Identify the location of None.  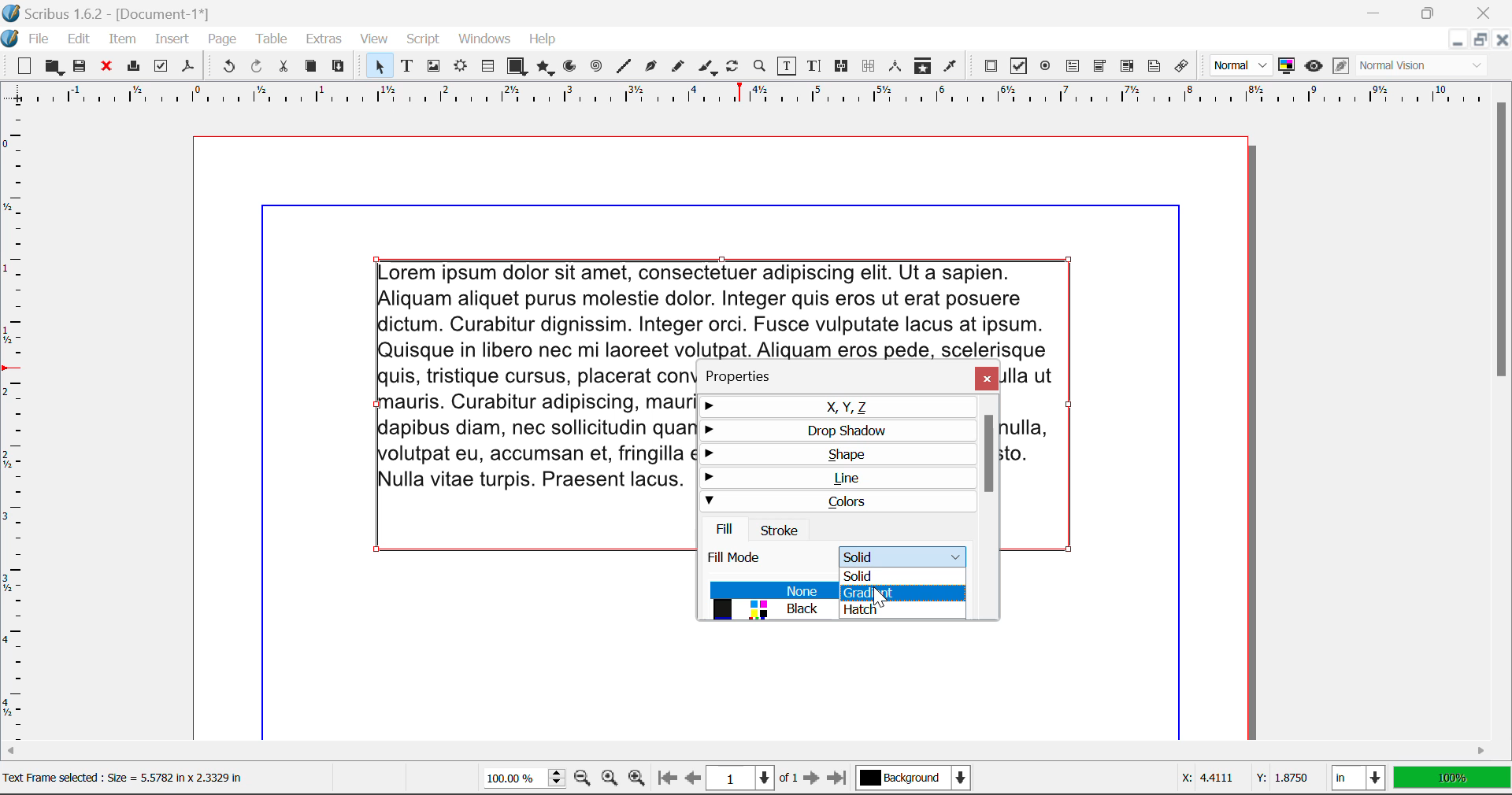
(771, 590).